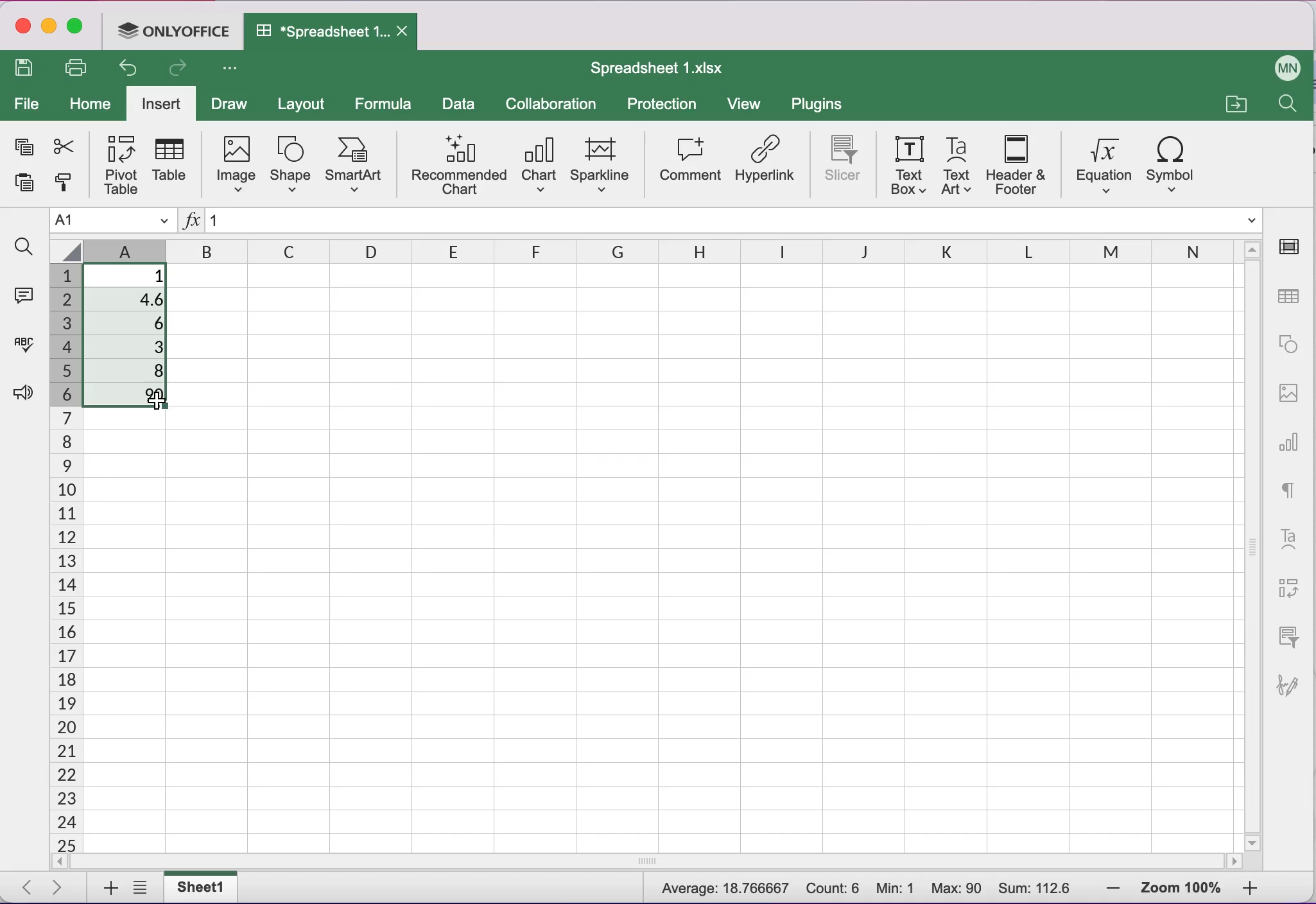 The width and height of the screenshot is (1316, 904). I want to click on add sheets, so click(105, 887).